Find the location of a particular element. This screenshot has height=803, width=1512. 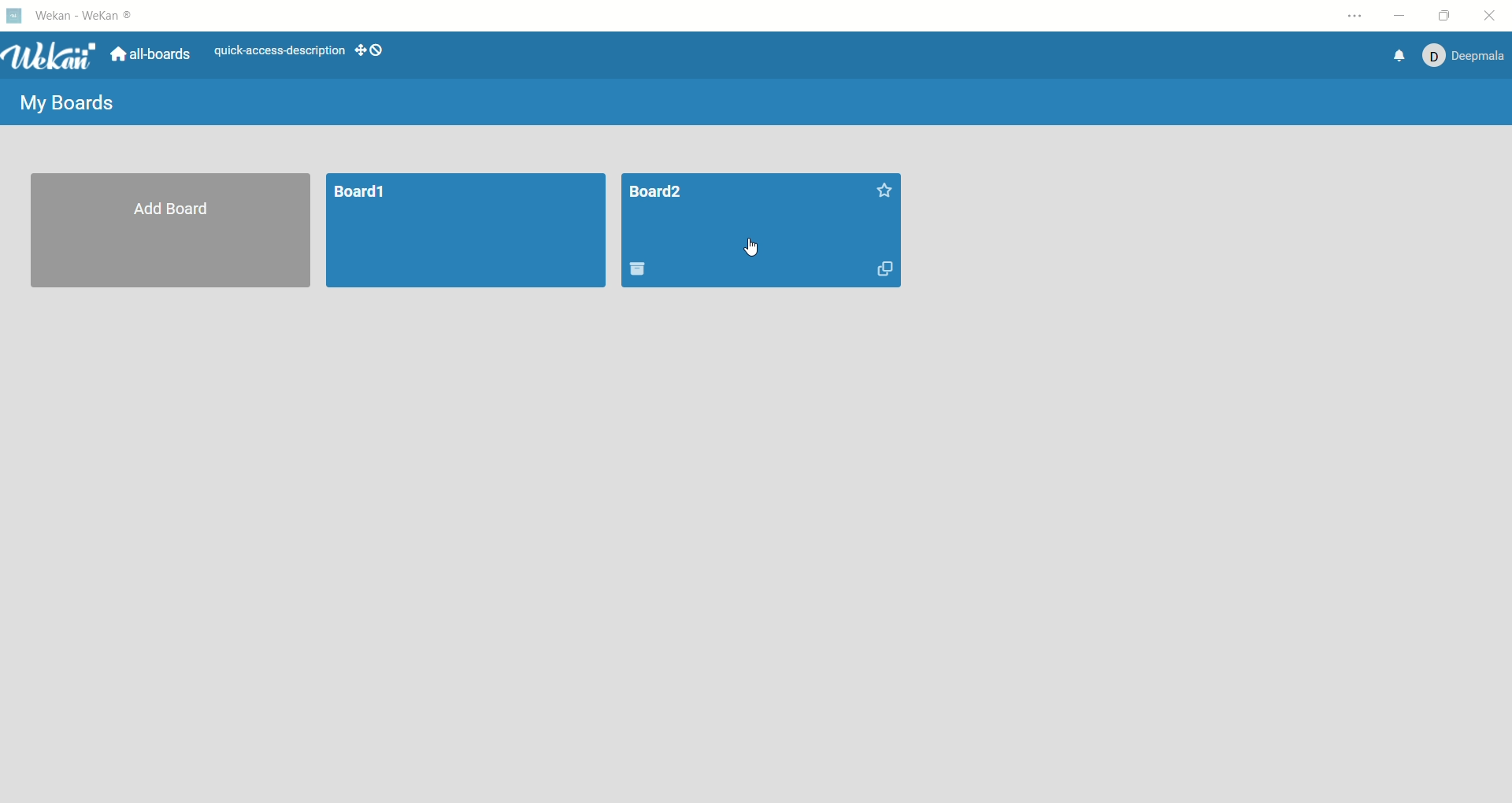

my boards is located at coordinates (75, 103).